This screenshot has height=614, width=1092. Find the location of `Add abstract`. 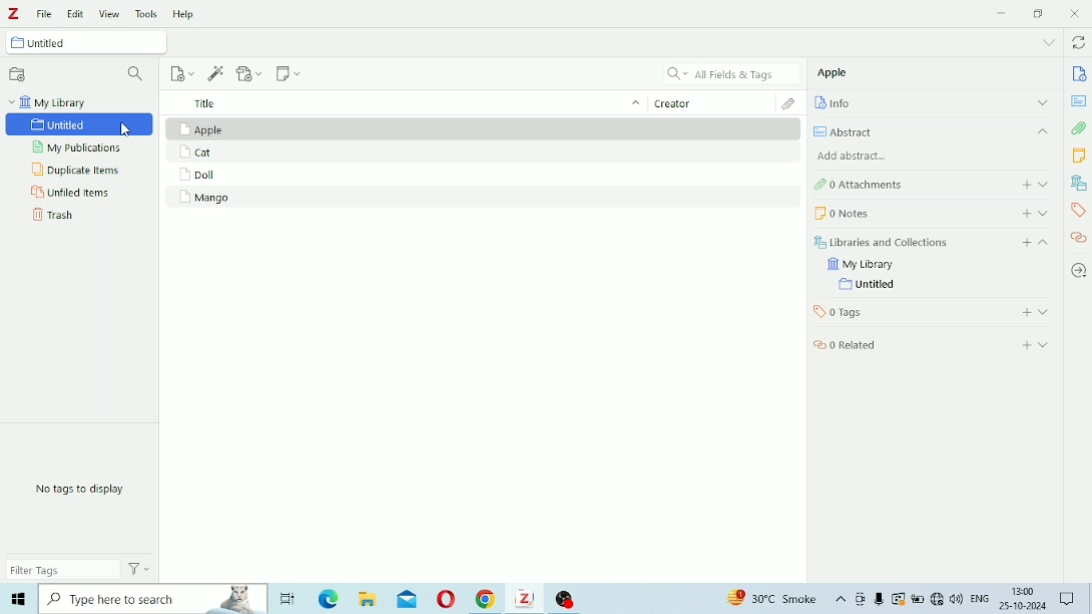

Add abstract is located at coordinates (853, 155).